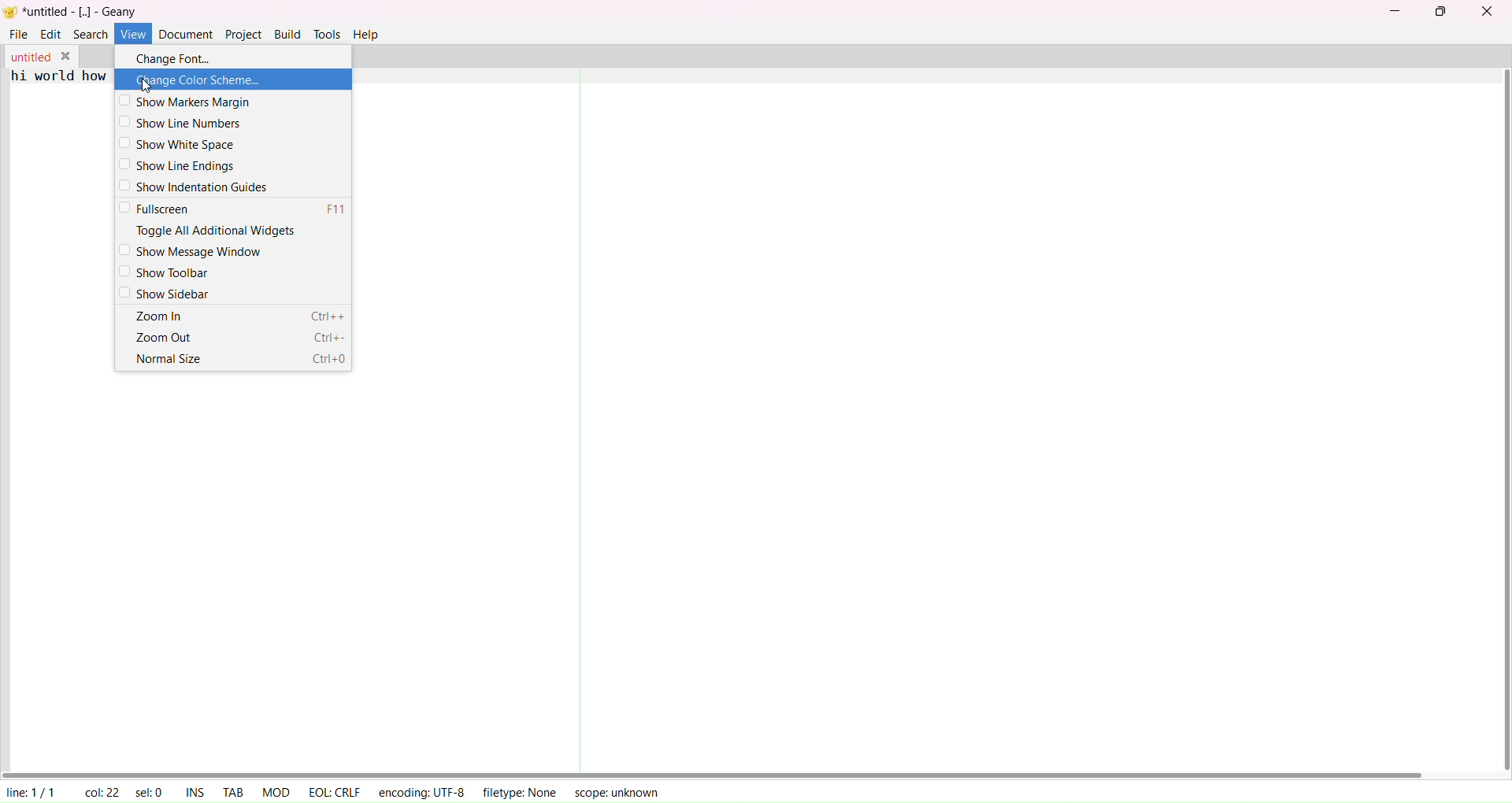  What do you see at coordinates (15, 35) in the screenshot?
I see `file` at bounding box center [15, 35].